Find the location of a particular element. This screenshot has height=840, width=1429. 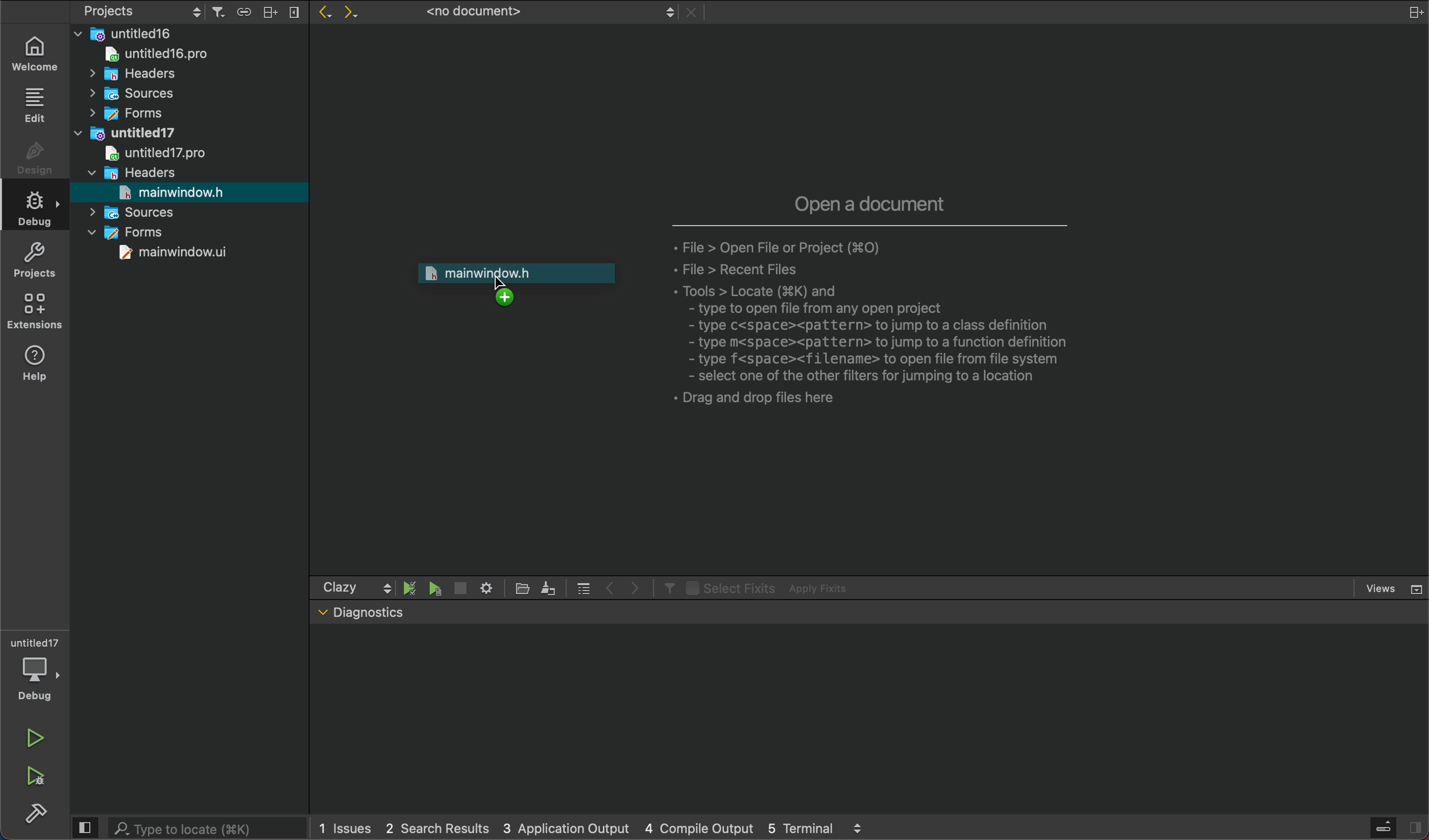

5 Terminal is located at coordinates (800, 826).